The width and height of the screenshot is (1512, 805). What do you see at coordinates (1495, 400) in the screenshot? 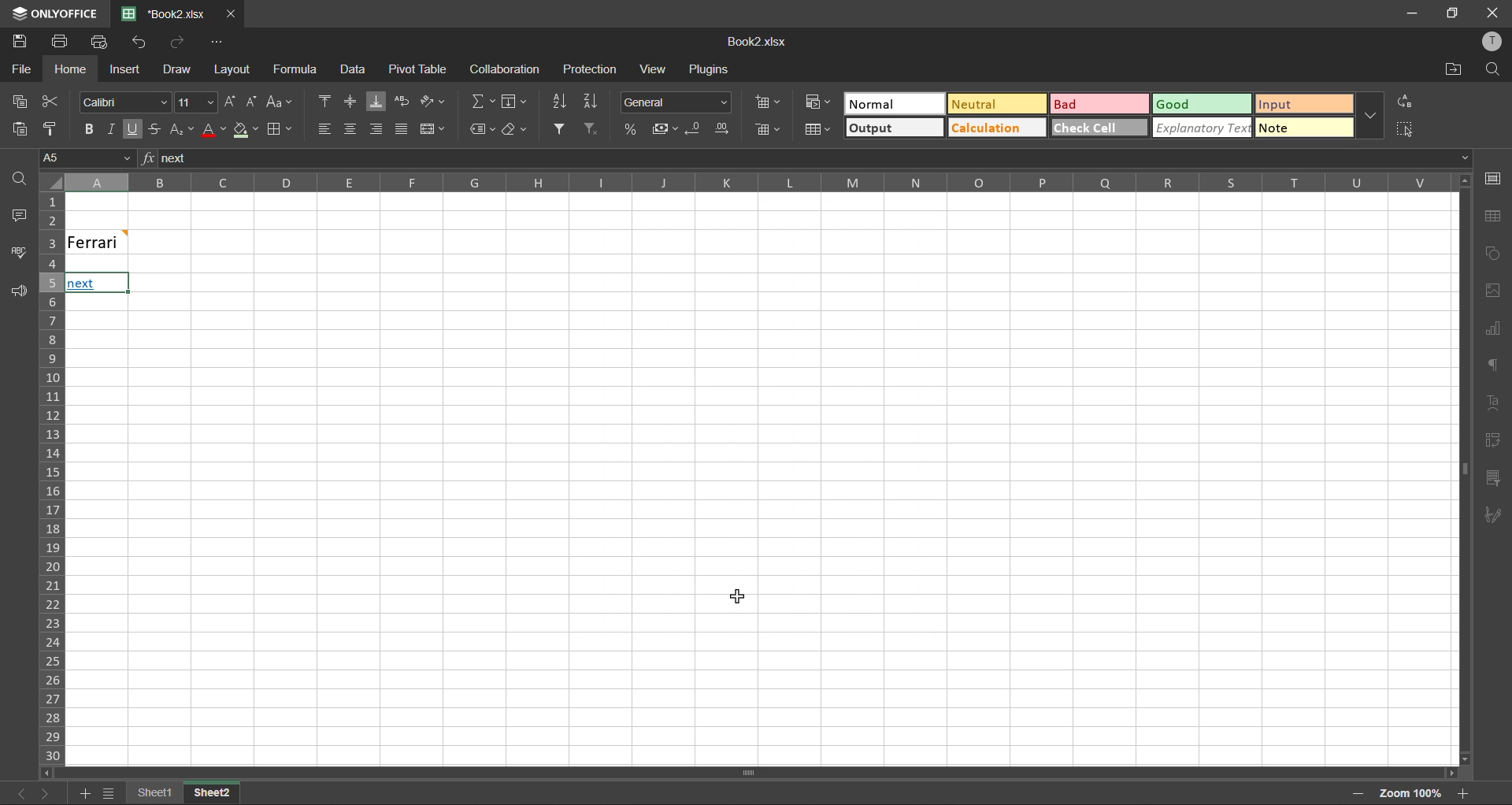
I see `text` at bounding box center [1495, 400].